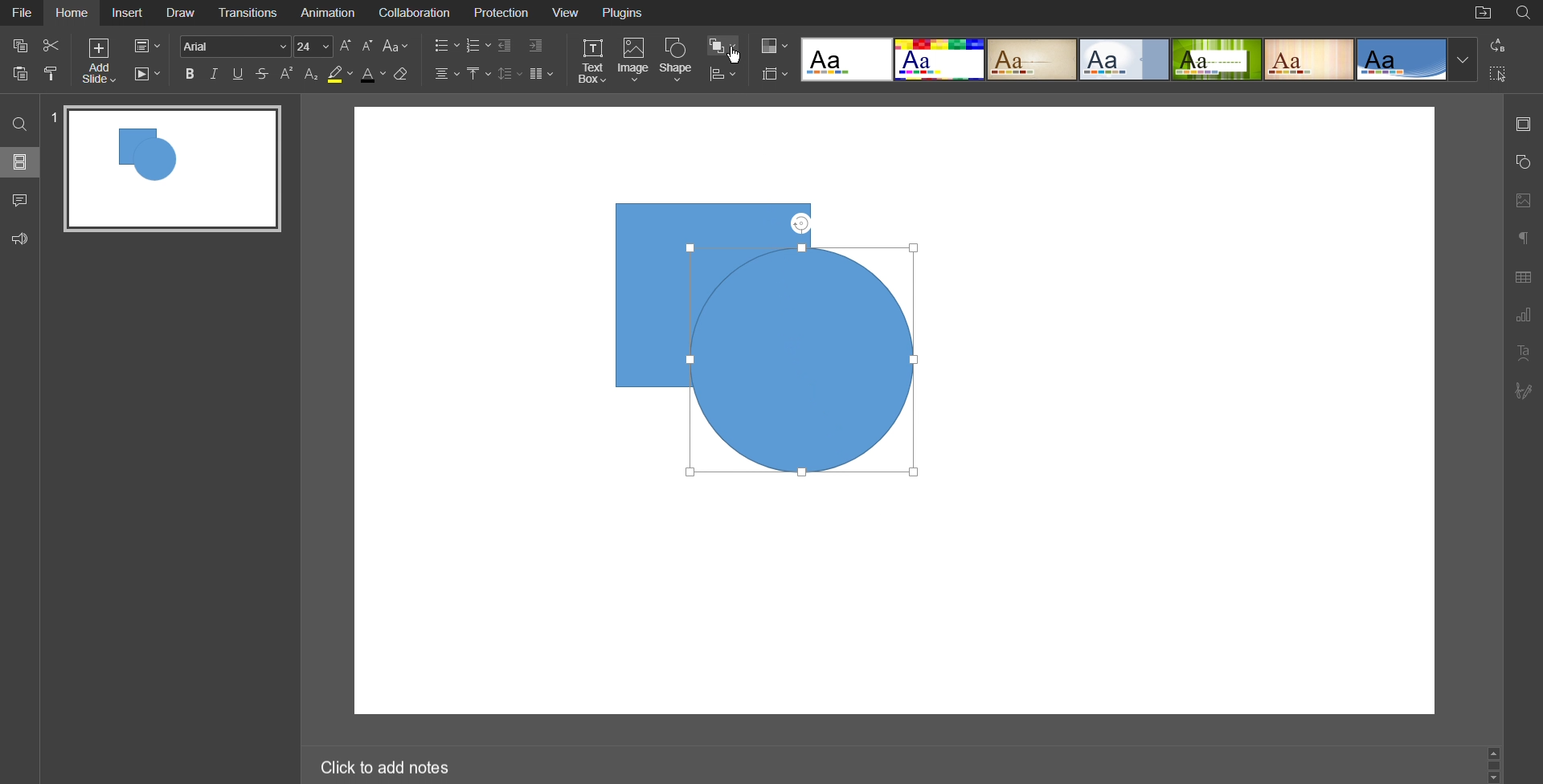 This screenshot has width=1543, height=784. Describe the element at coordinates (1308, 59) in the screenshot. I see `Lines` at that location.